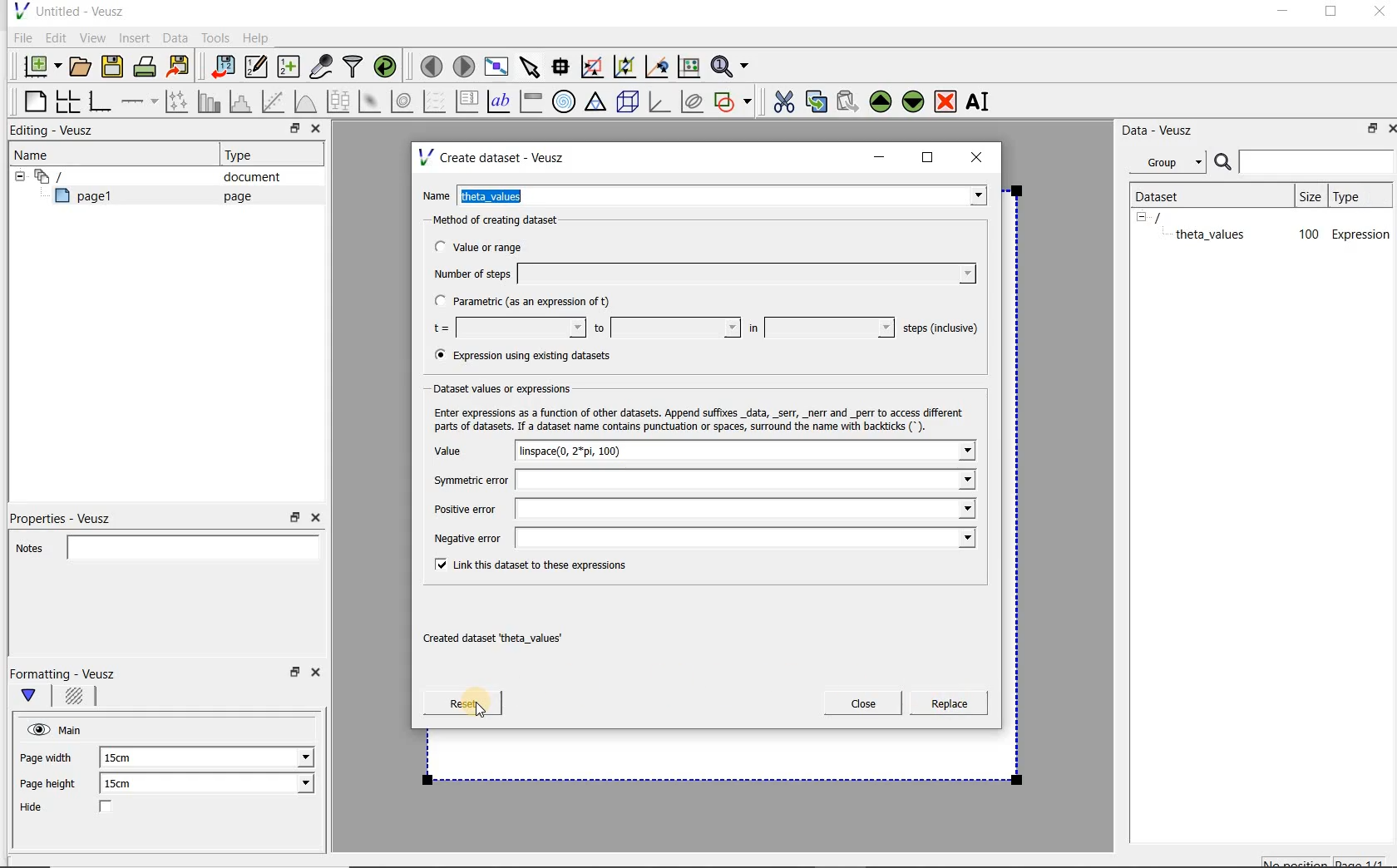 The image size is (1397, 868). What do you see at coordinates (148, 66) in the screenshot?
I see `print the document` at bounding box center [148, 66].